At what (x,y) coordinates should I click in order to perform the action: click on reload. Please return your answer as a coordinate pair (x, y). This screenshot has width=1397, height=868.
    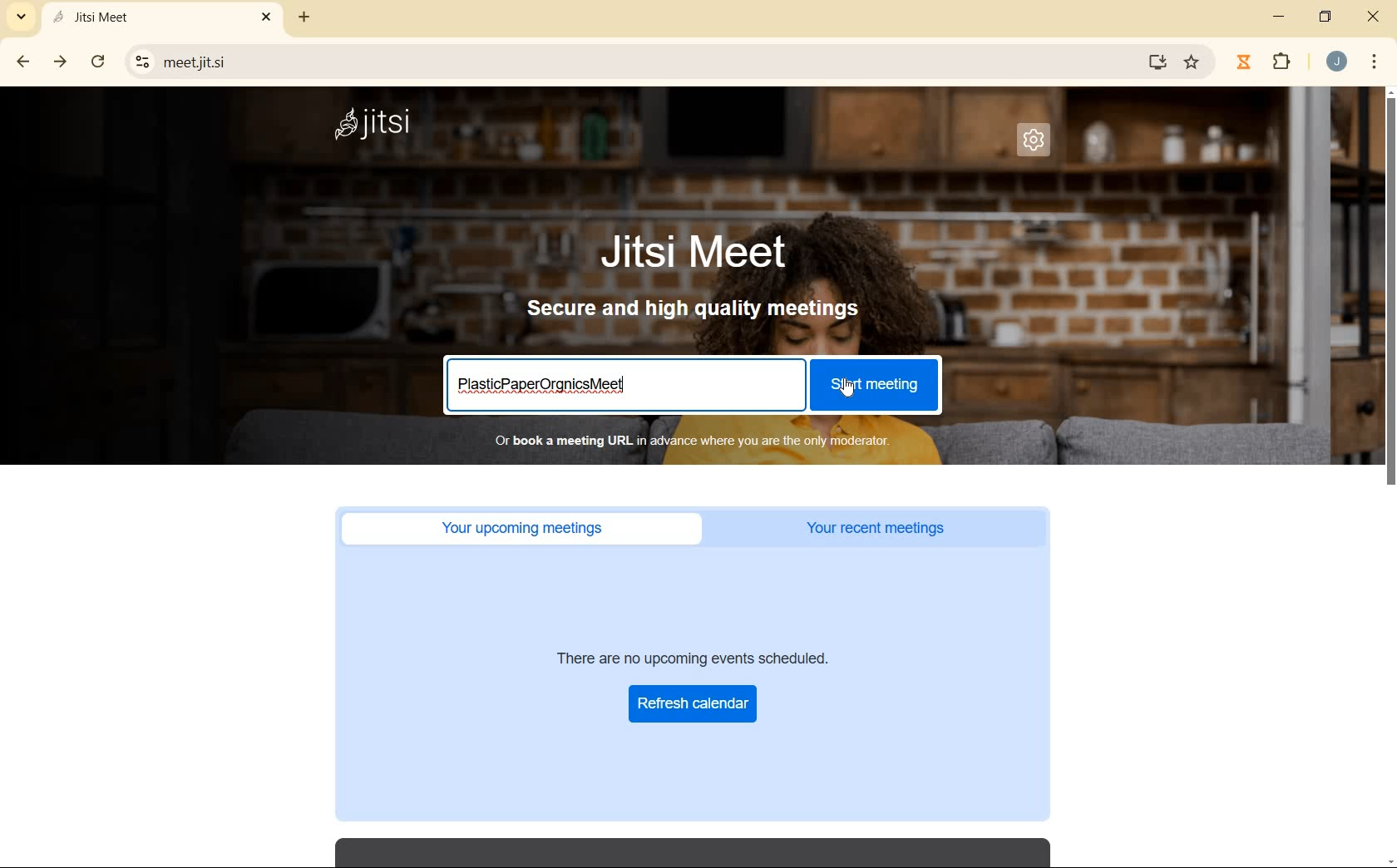
    Looking at the image, I should click on (98, 60).